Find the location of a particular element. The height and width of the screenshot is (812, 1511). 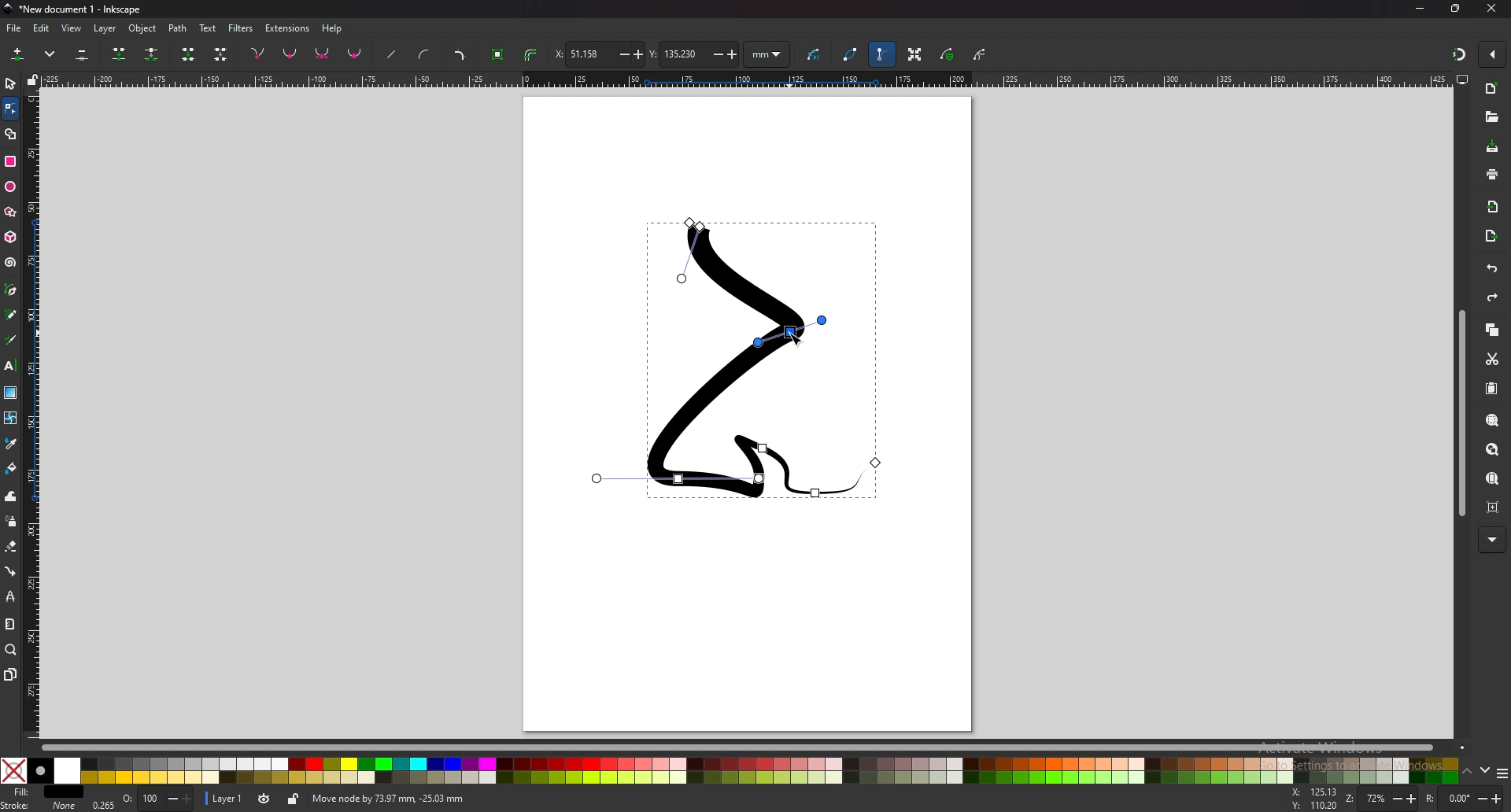

join endnotes with new segment is located at coordinates (187, 56).